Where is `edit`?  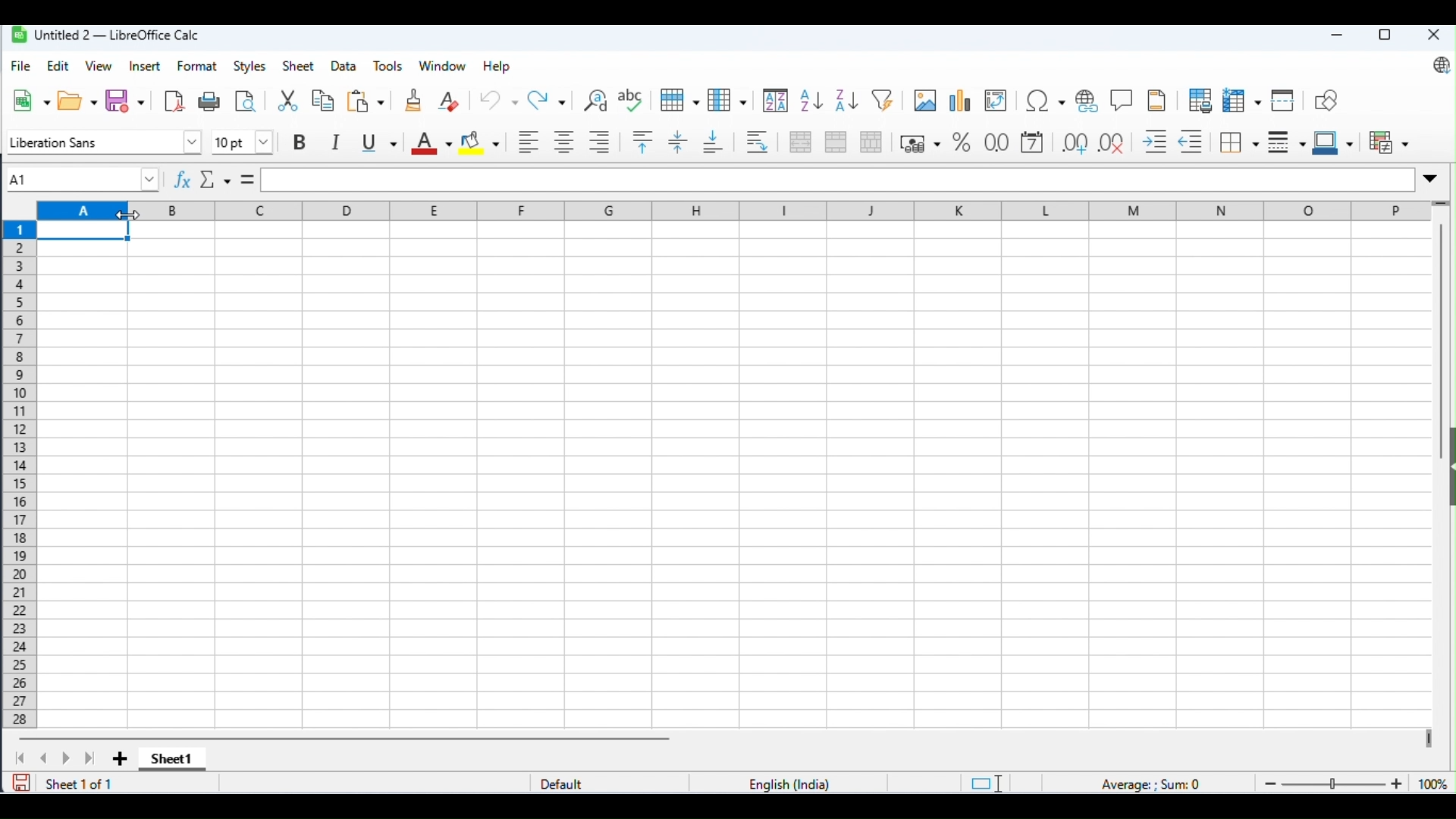
edit is located at coordinates (60, 67).